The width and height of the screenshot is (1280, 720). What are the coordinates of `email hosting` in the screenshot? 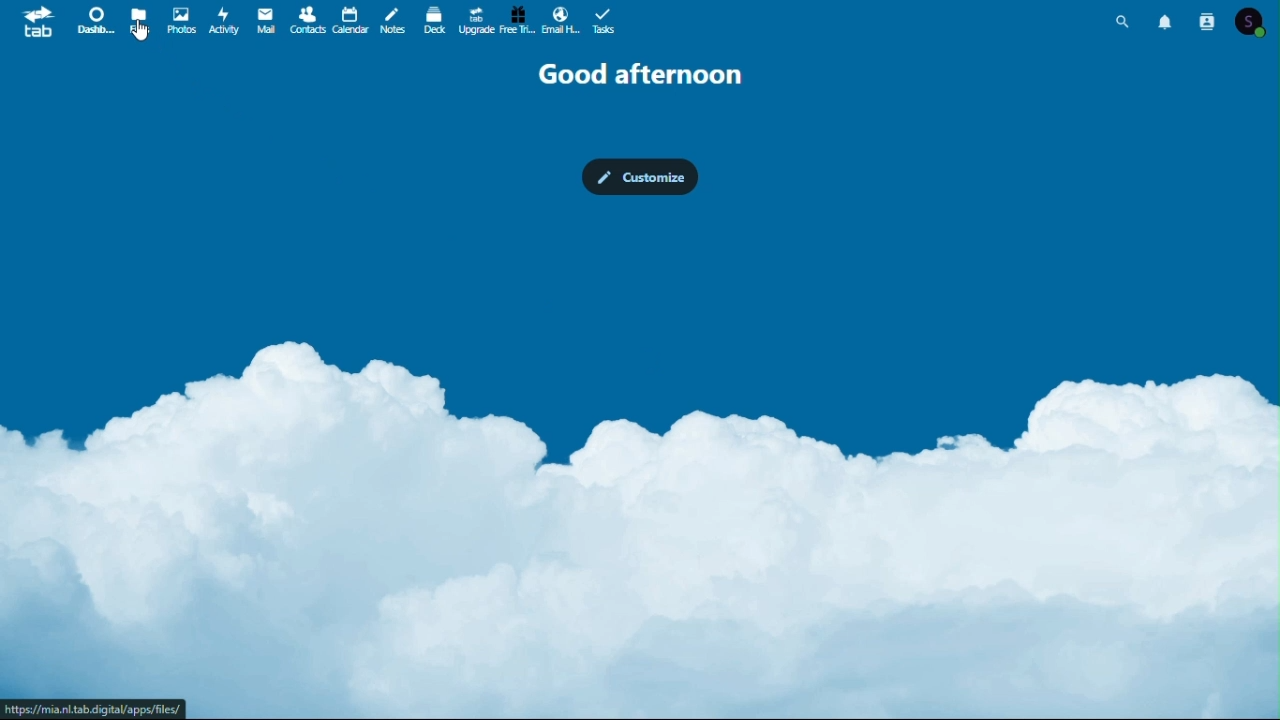 It's located at (561, 20).